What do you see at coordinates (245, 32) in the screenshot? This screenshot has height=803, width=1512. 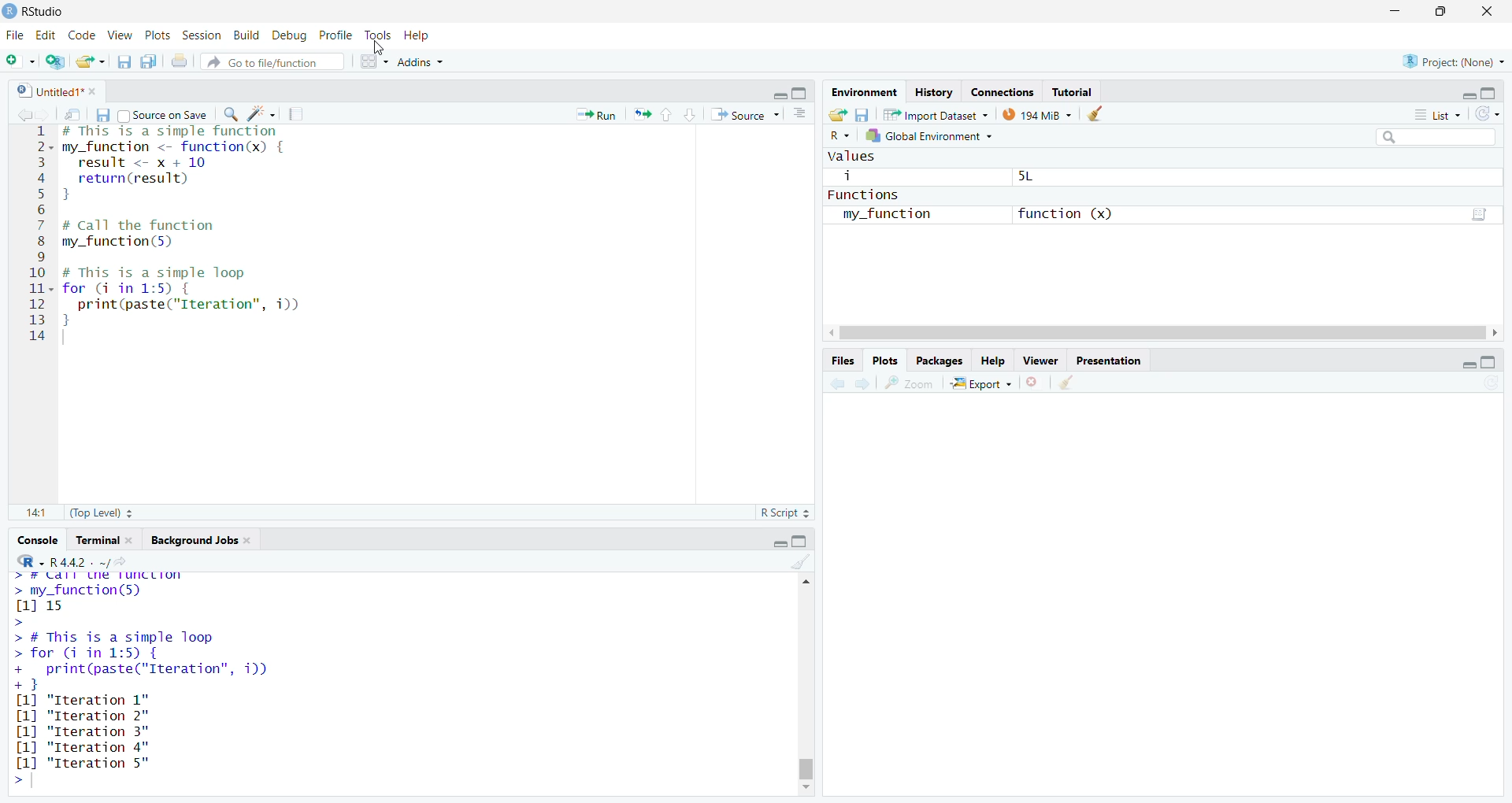 I see `build` at bounding box center [245, 32].